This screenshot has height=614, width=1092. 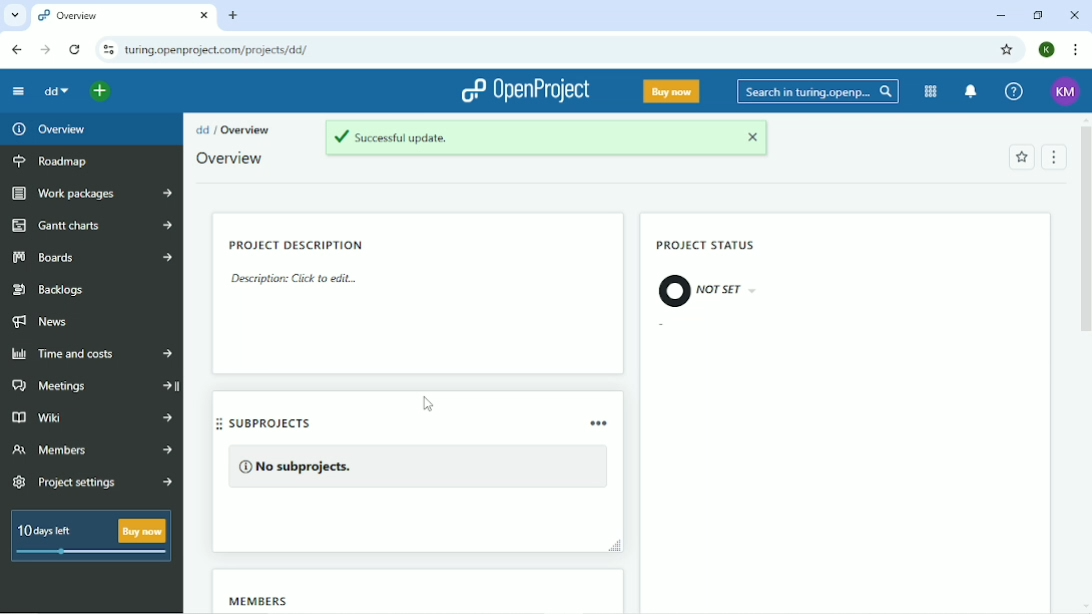 What do you see at coordinates (317, 599) in the screenshot?
I see `member` at bounding box center [317, 599].